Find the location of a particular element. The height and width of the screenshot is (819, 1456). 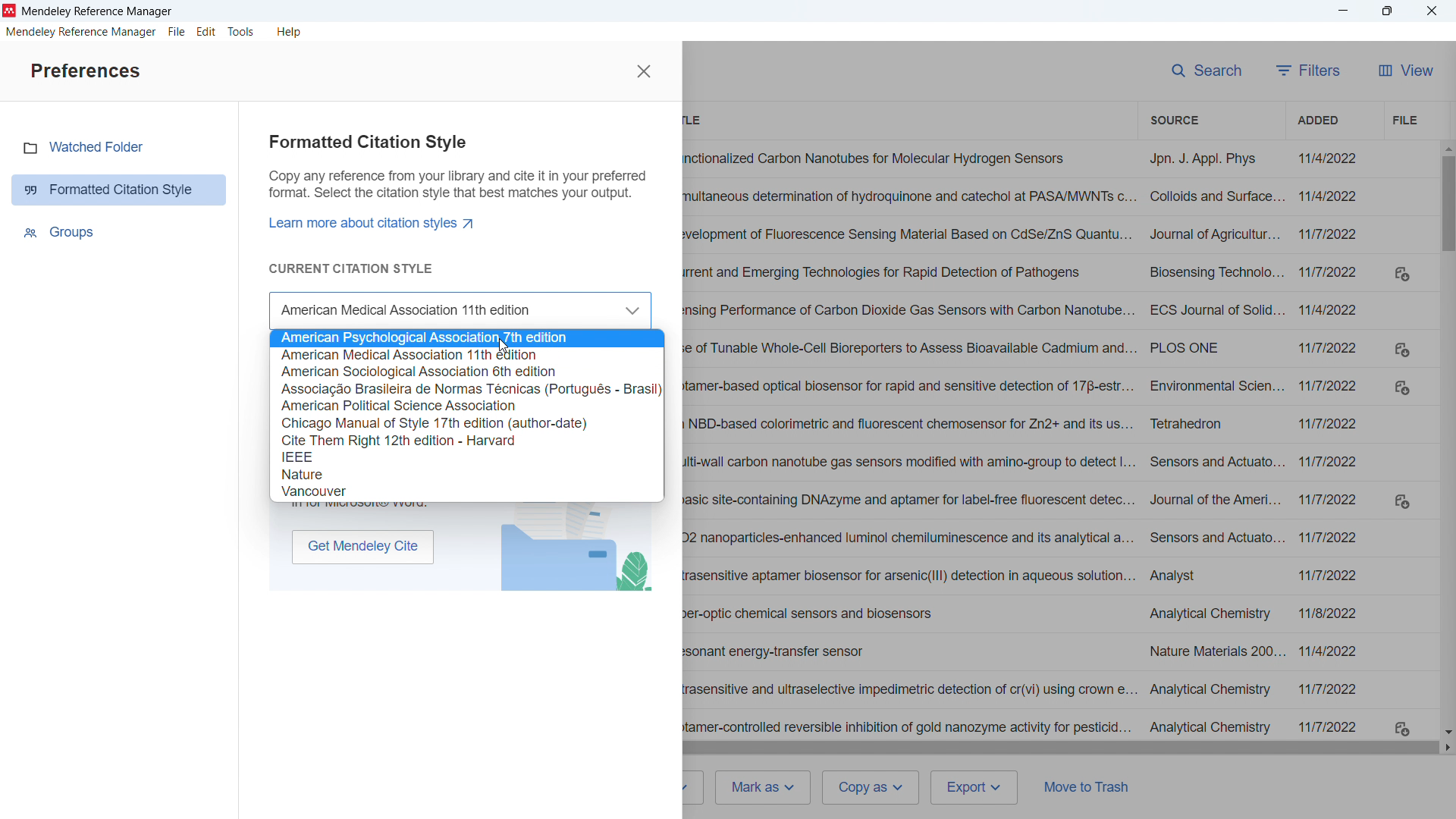

help is located at coordinates (290, 33).